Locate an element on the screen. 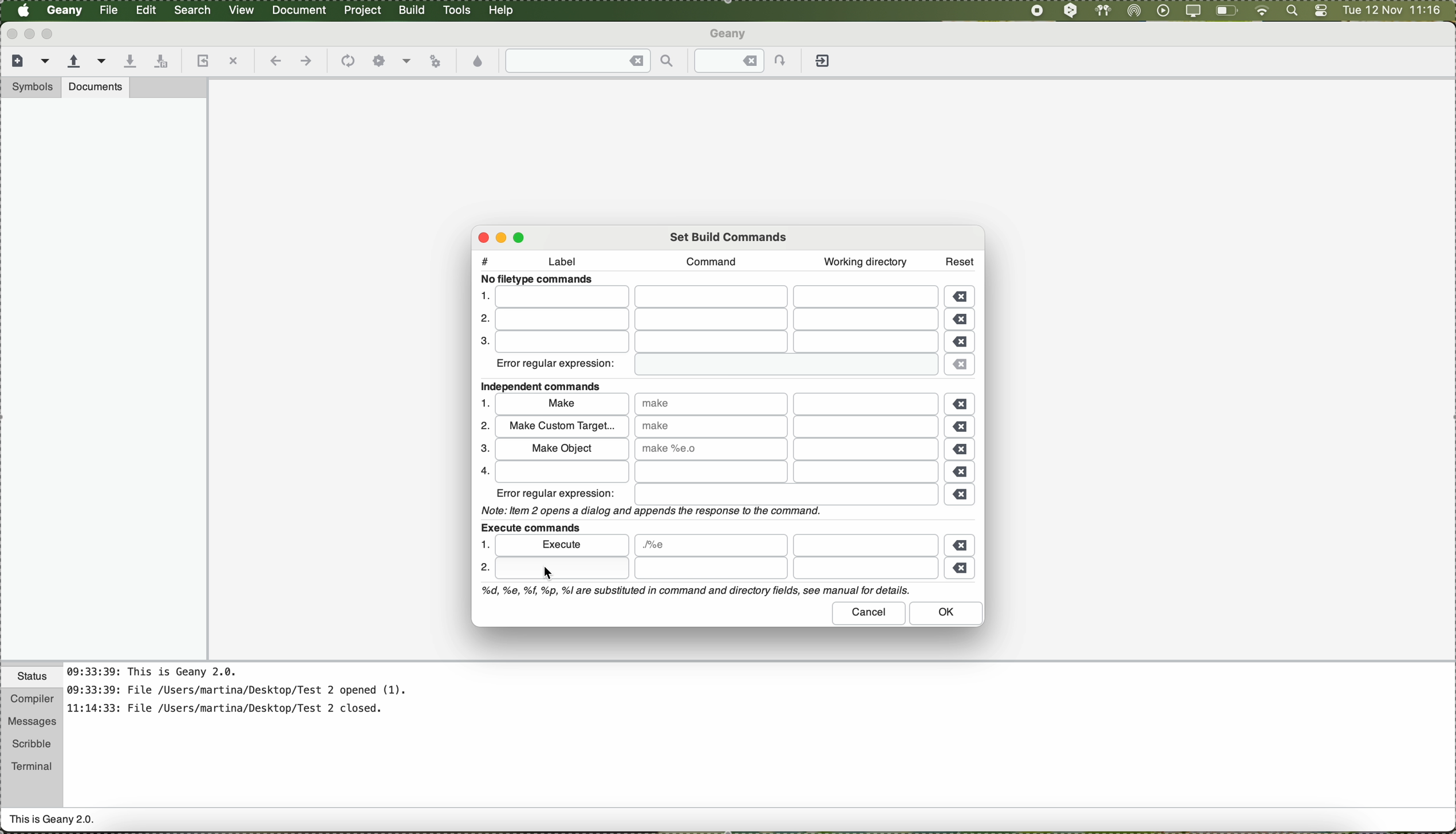 This screenshot has height=834, width=1456. error regular expression is located at coordinates (557, 366).